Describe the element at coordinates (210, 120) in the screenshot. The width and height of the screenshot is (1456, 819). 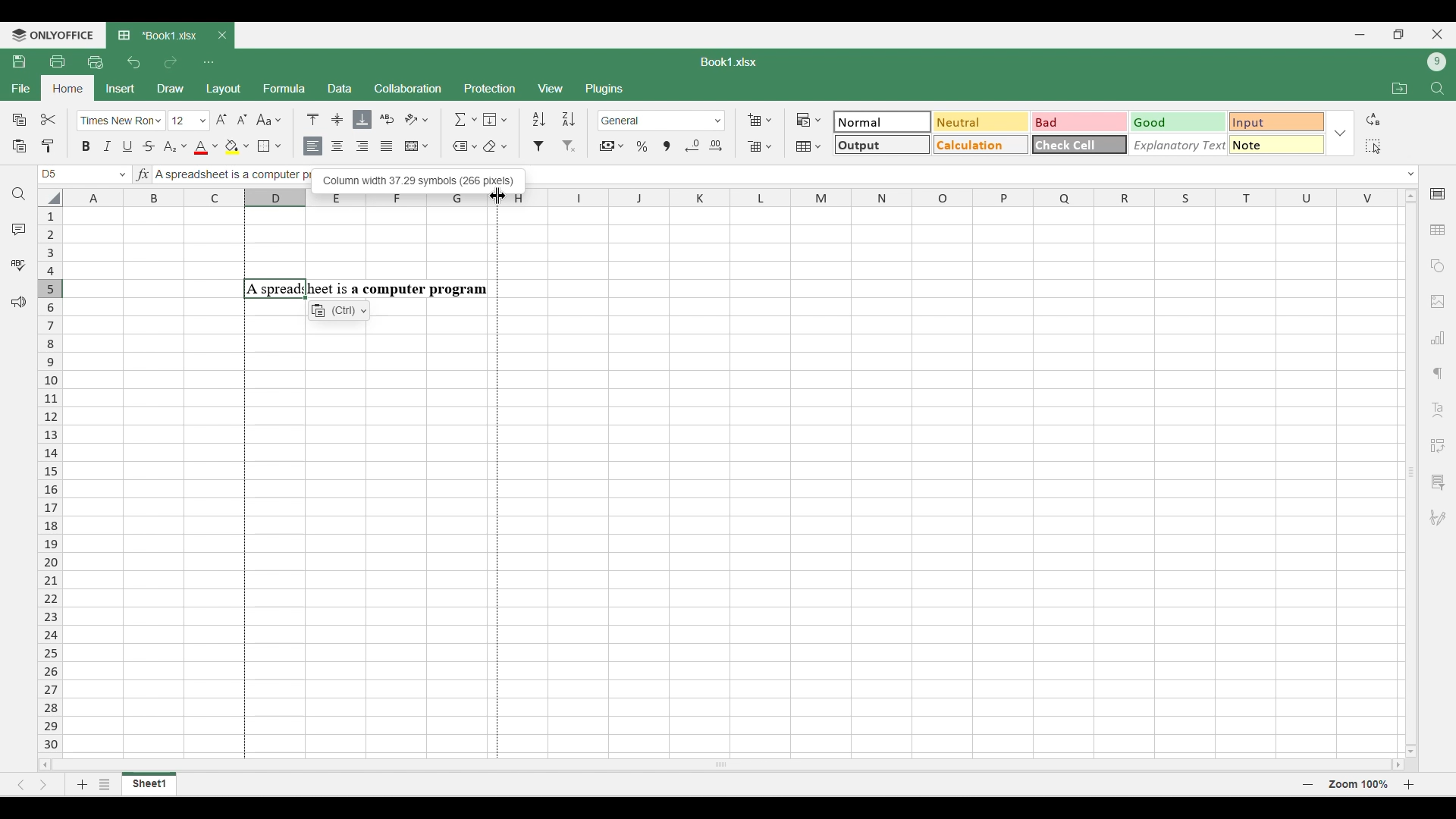
I see `Text size settings` at that location.